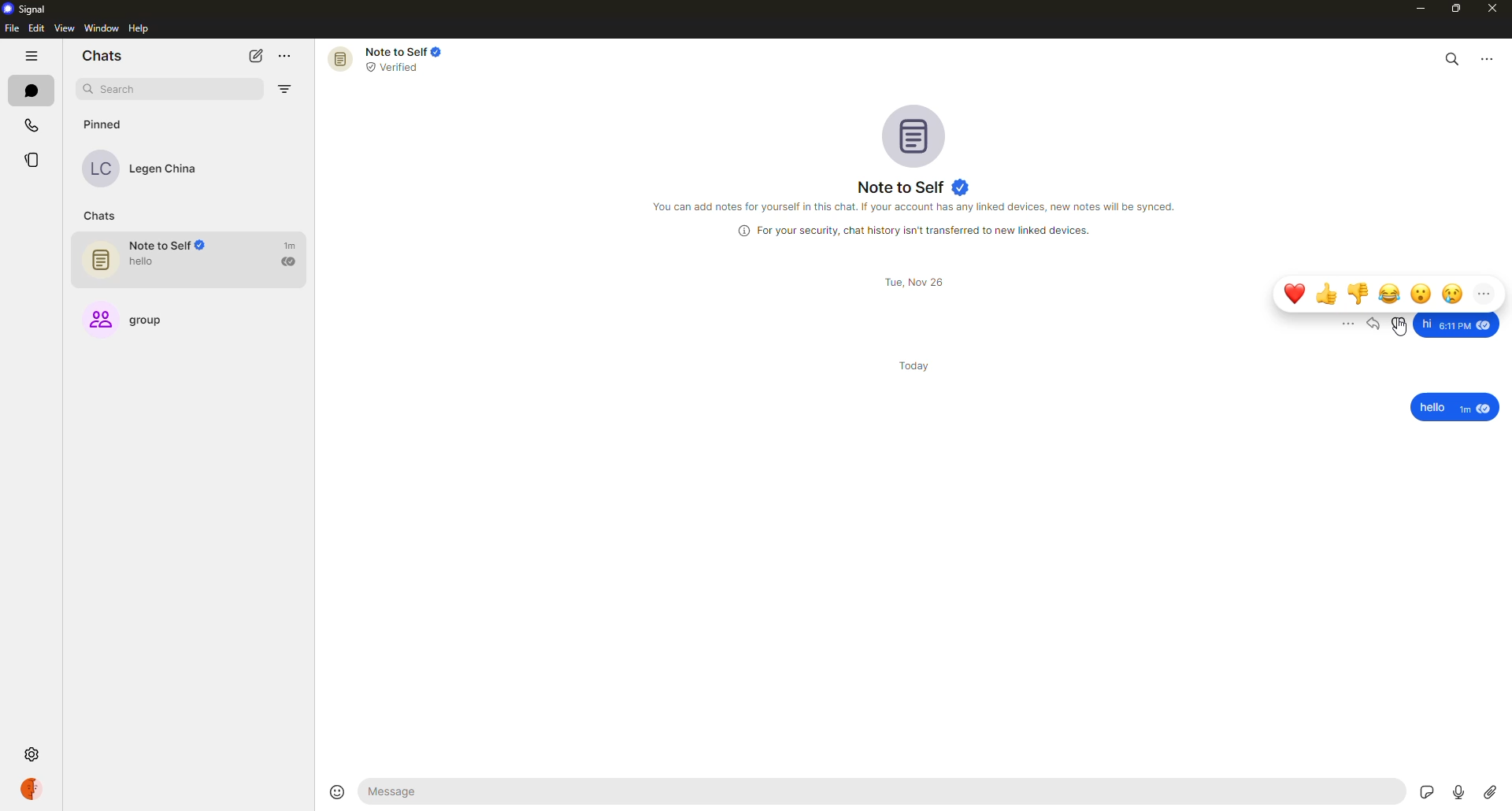 The width and height of the screenshot is (1512, 811). What do you see at coordinates (918, 364) in the screenshot?
I see `day` at bounding box center [918, 364].